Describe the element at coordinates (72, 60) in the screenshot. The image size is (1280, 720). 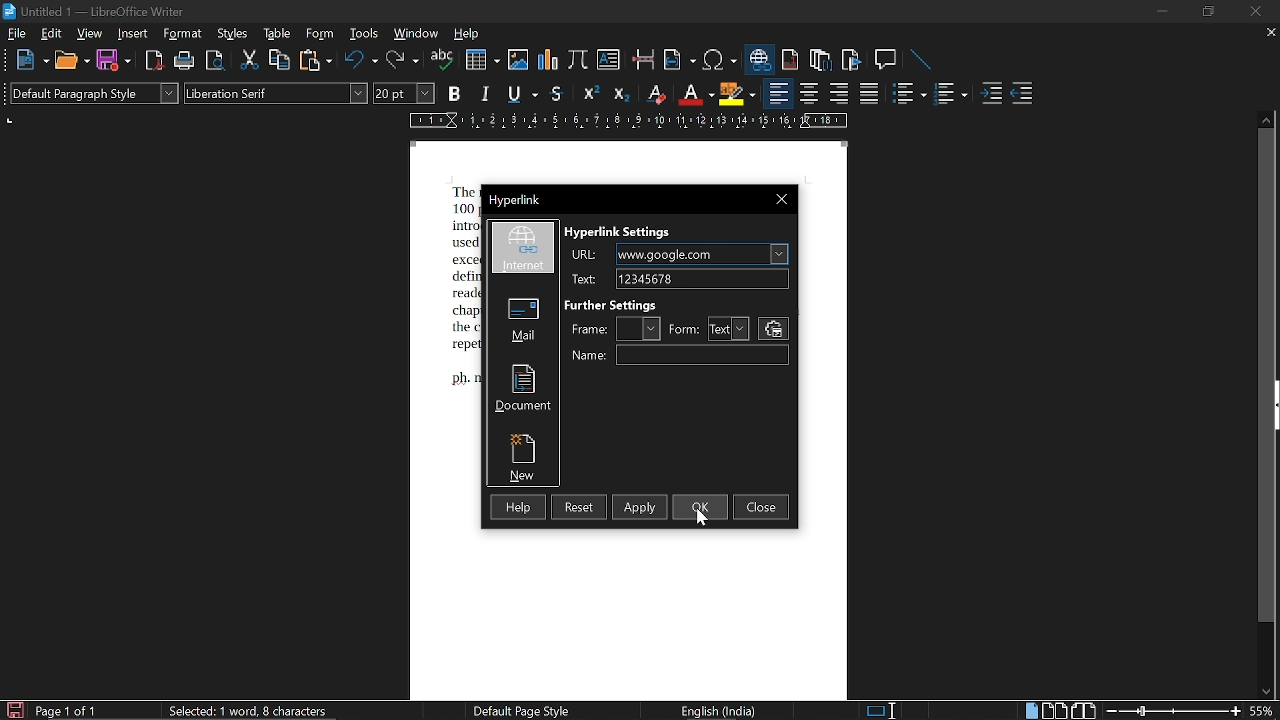
I see `open` at that location.